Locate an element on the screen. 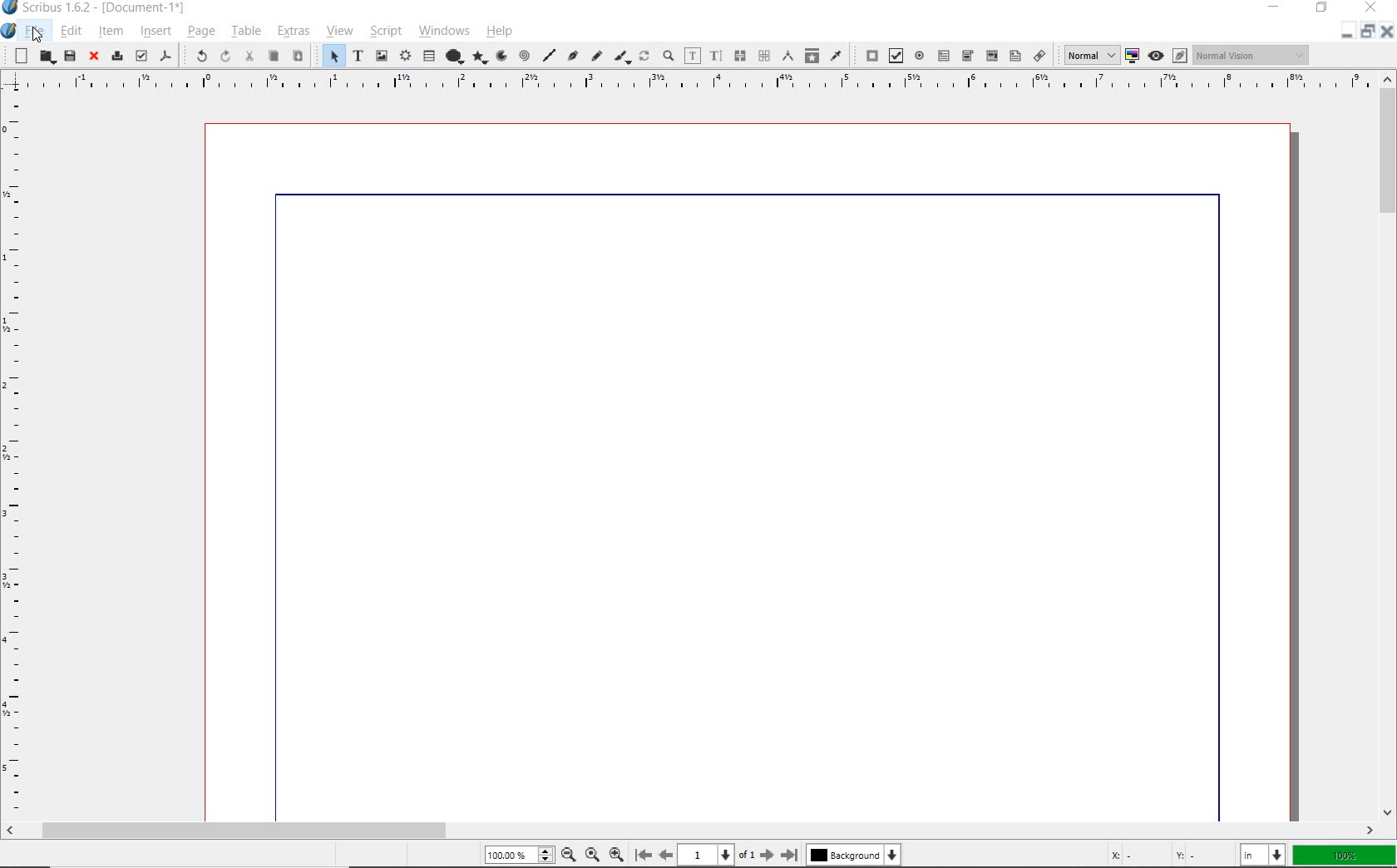 The height and width of the screenshot is (868, 1397). freehand line is located at coordinates (595, 55).